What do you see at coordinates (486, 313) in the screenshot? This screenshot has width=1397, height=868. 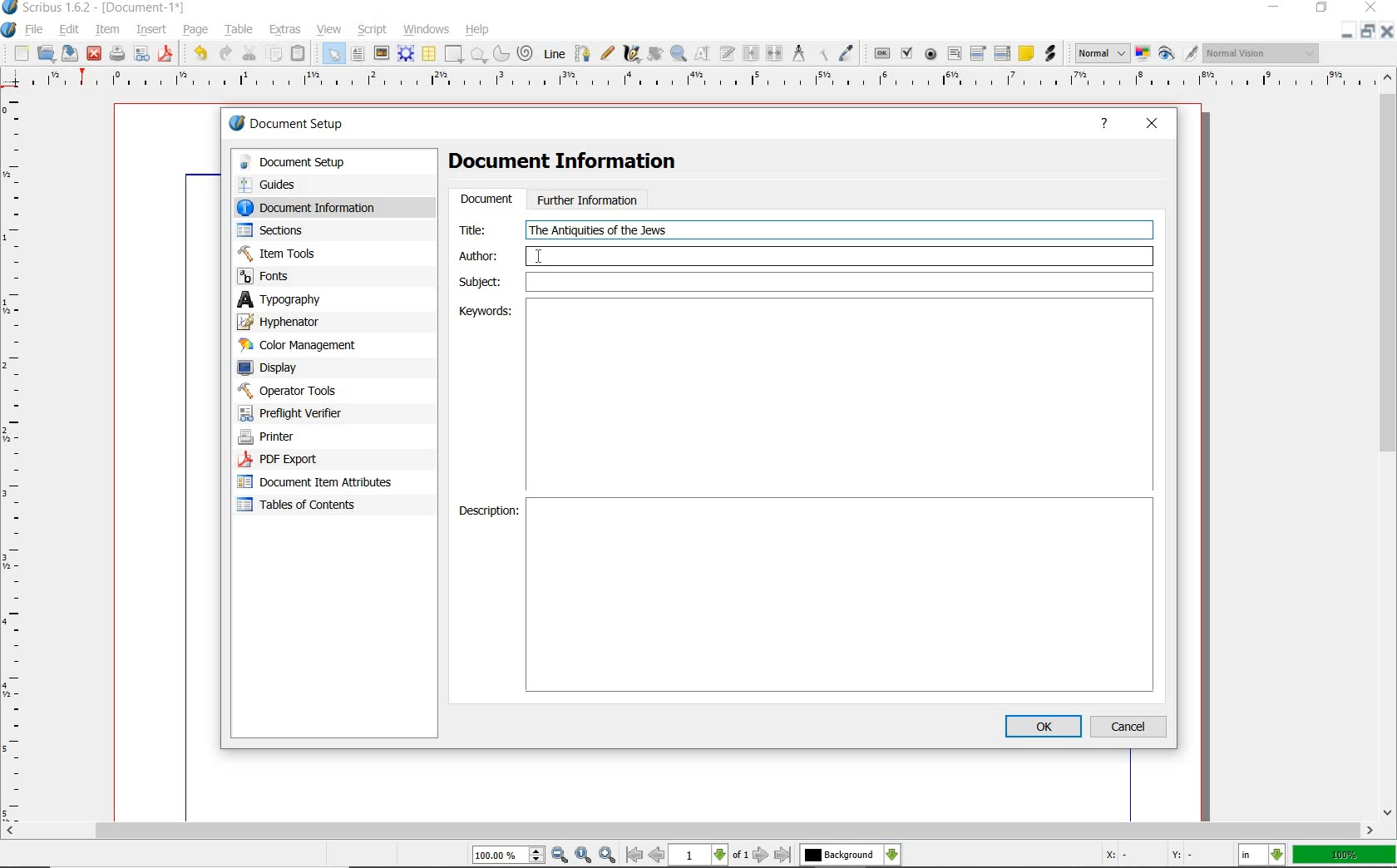 I see `Keywords` at bounding box center [486, 313].